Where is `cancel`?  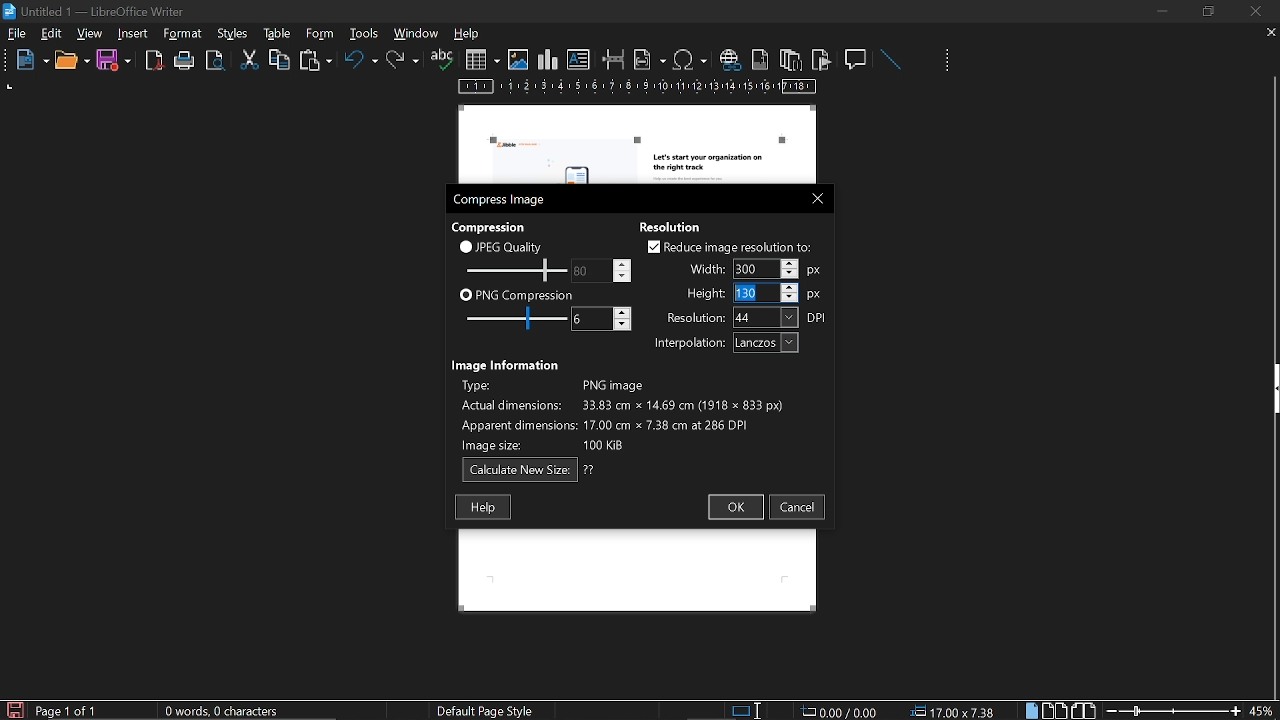 cancel is located at coordinates (798, 507).